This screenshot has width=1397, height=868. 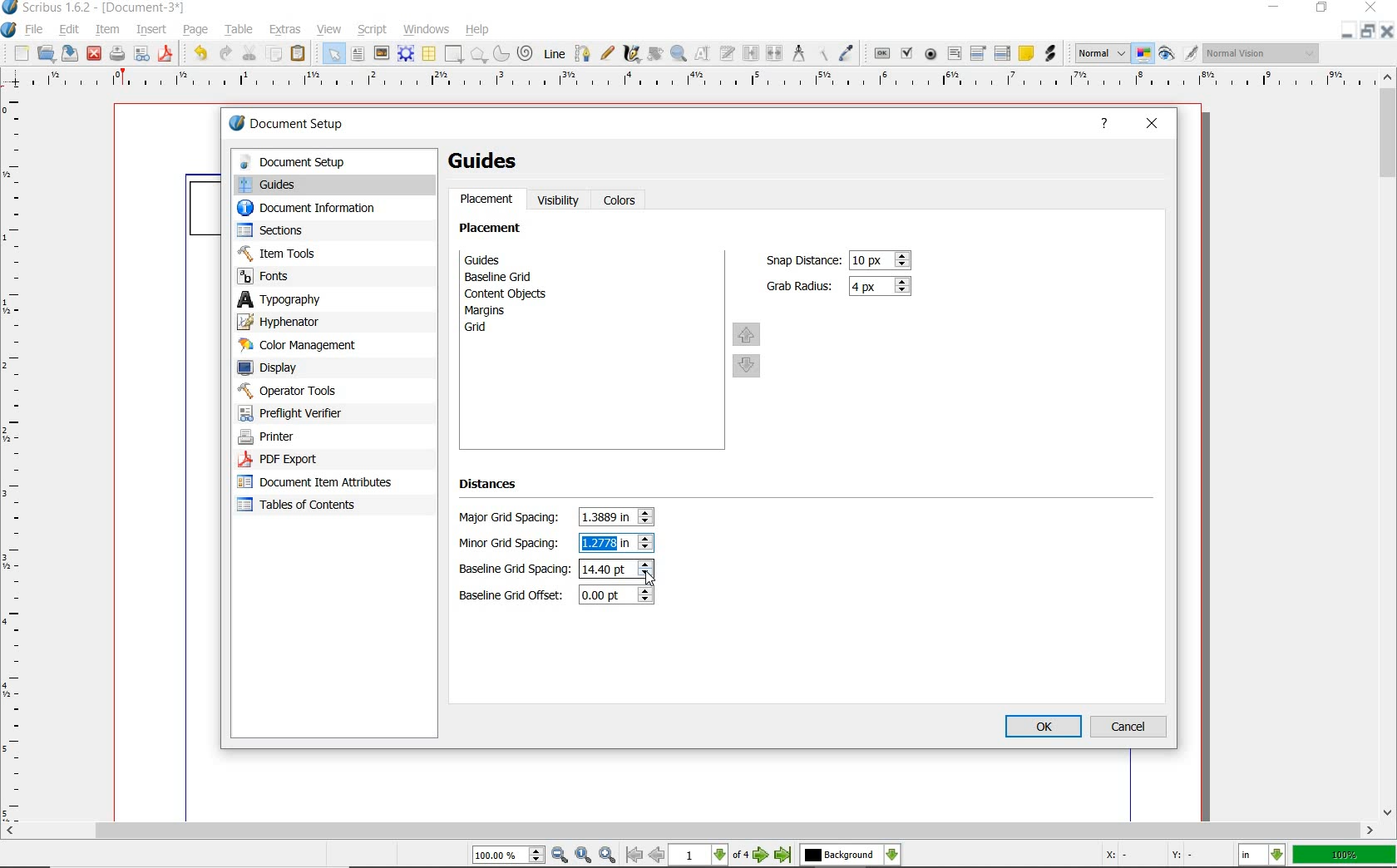 I want to click on Baseline Grid Offset:, so click(x=513, y=595).